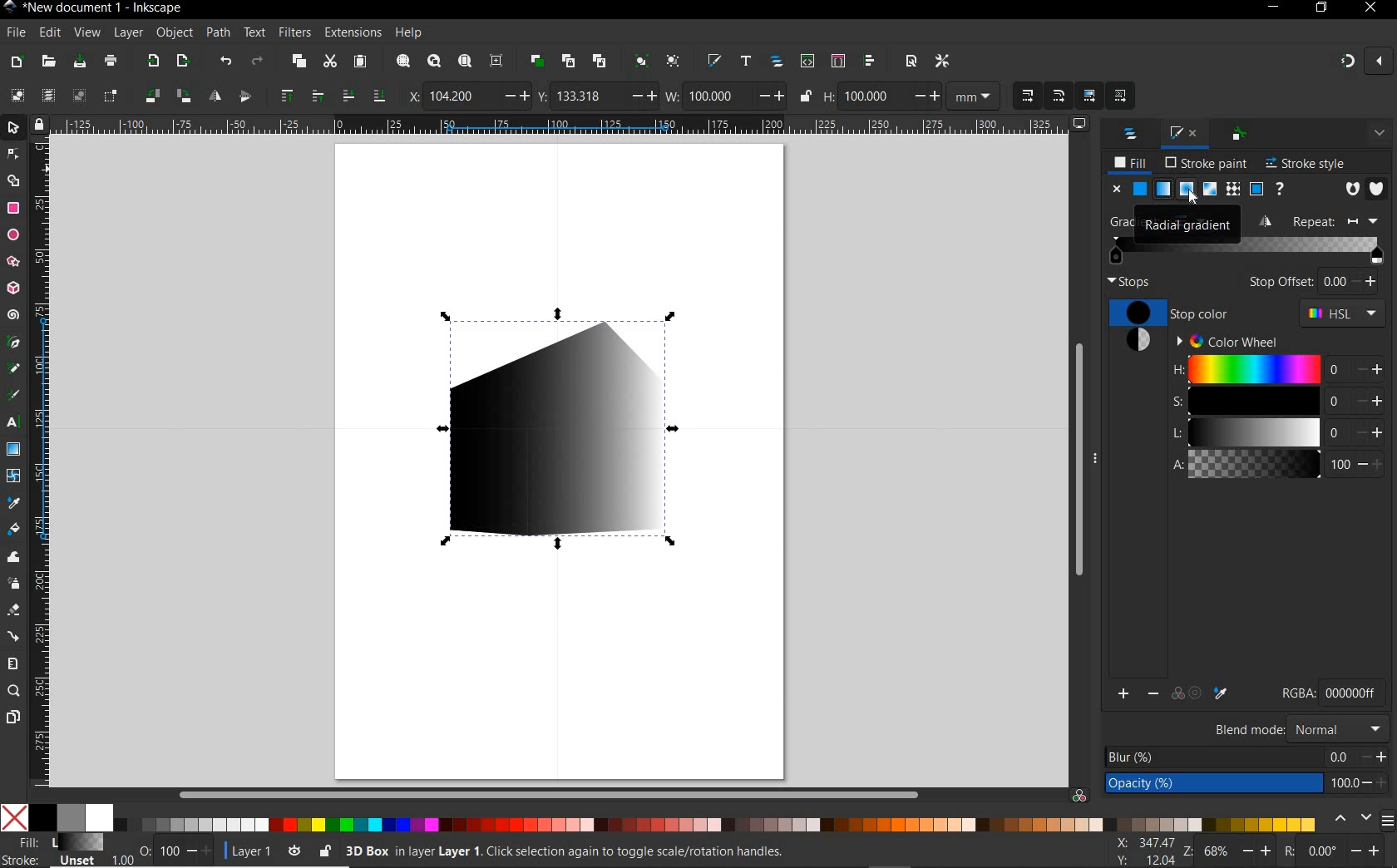  Describe the element at coordinates (568, 423) in the screenshot. I see `SELECTED OBJECT` at that location.